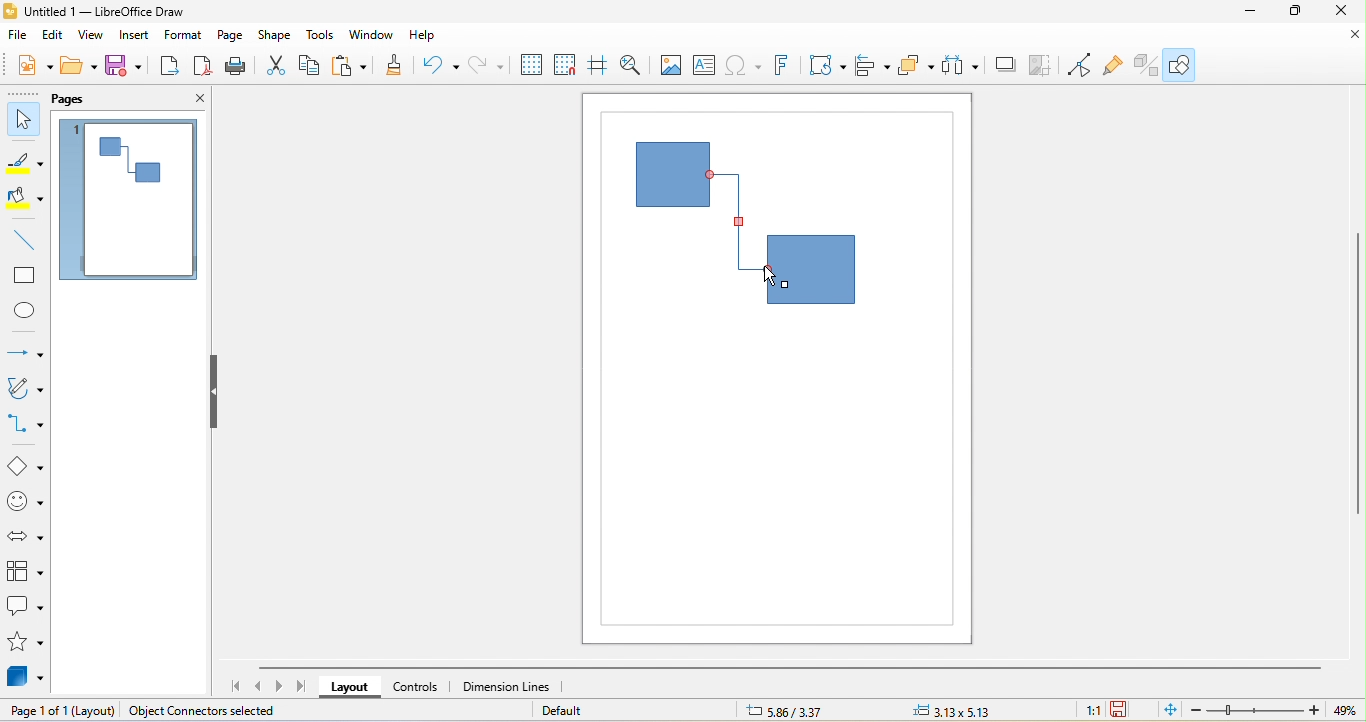  What do you see at coordinates (917, 67) in the screenshot?
I see `arrange` at bounding box center [917, 67].